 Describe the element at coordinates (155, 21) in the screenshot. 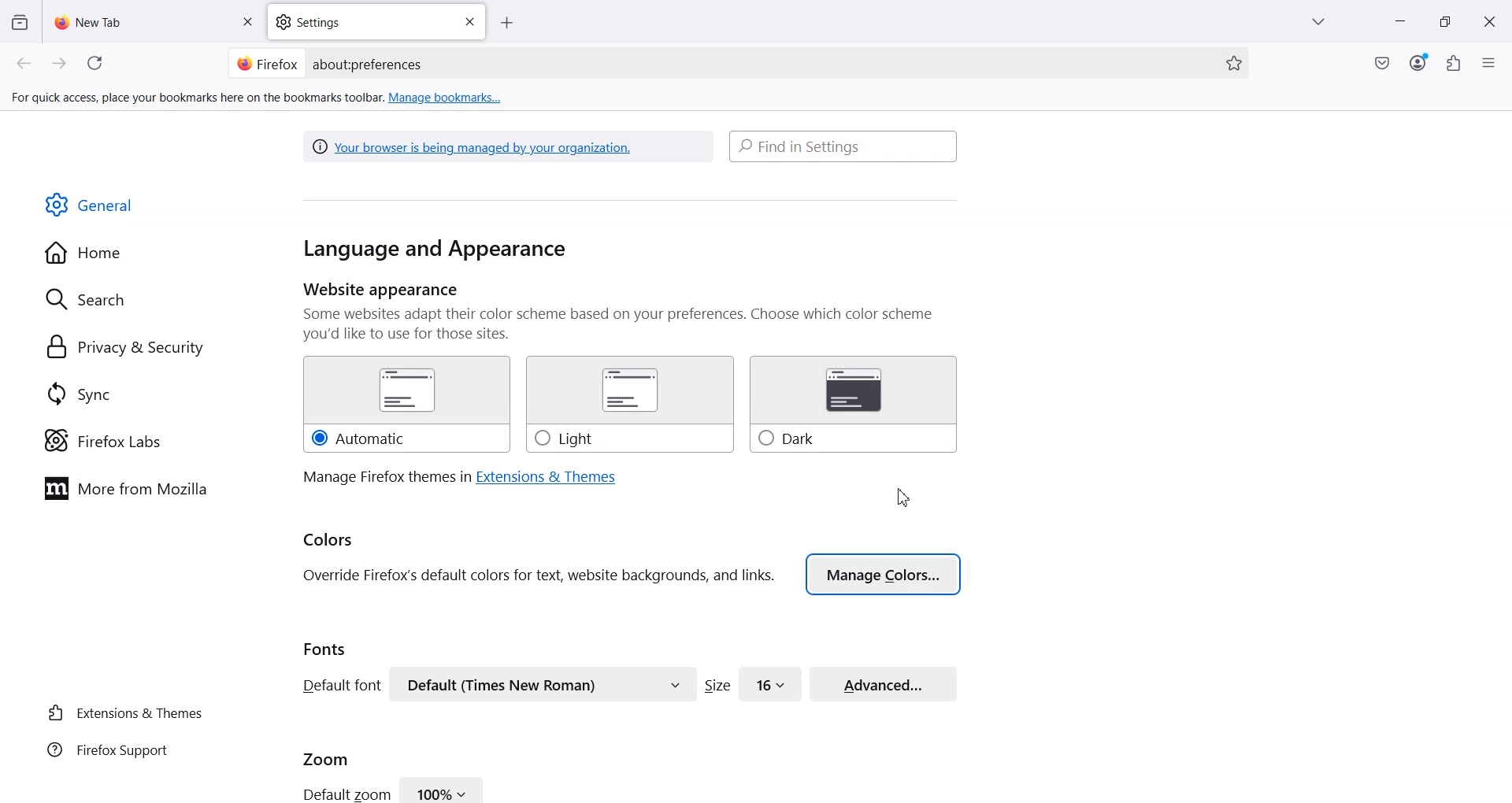

I see `New Tab` at that location.